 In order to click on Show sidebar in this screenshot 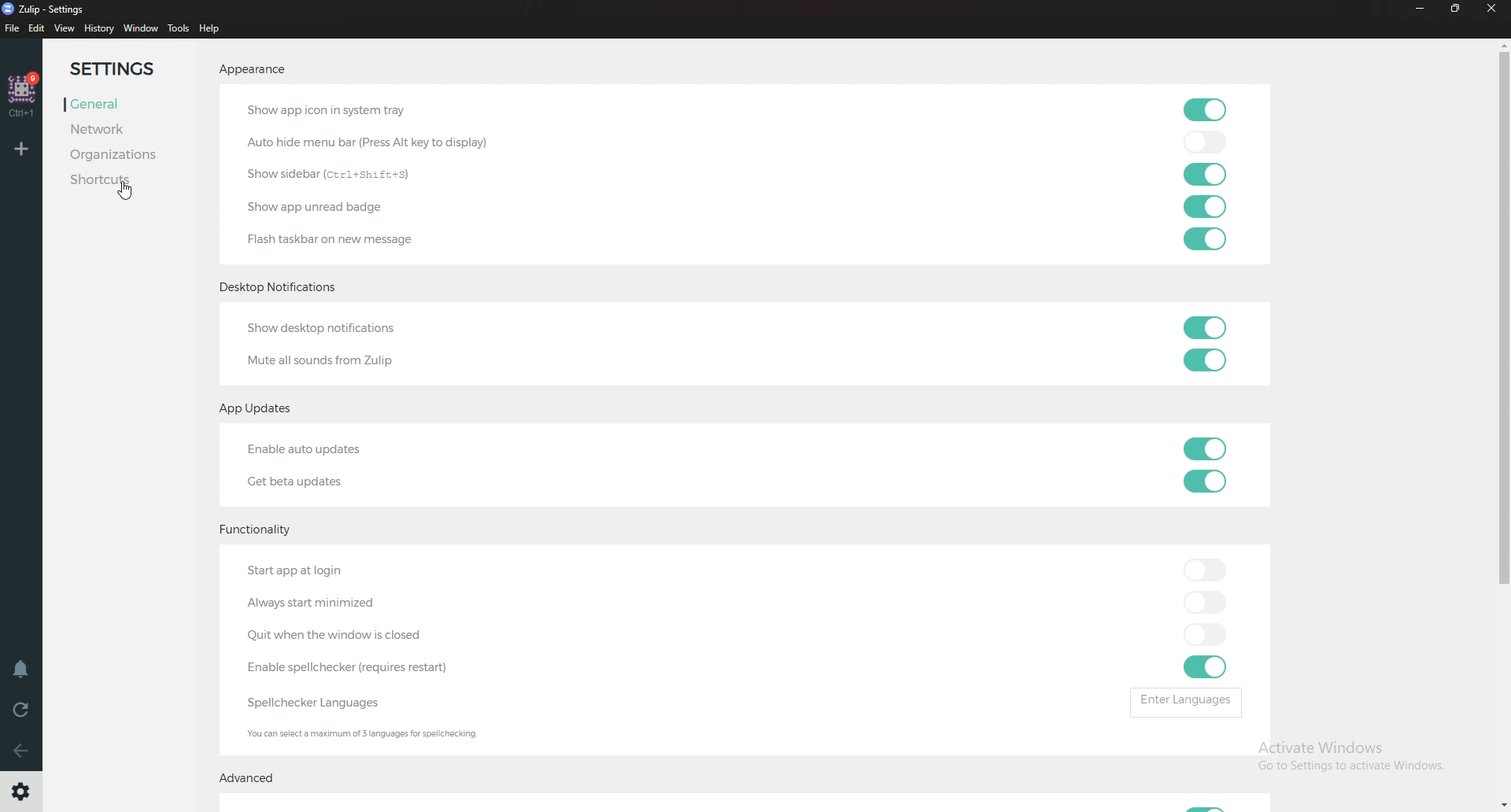, I will do `click(336, 176)`.